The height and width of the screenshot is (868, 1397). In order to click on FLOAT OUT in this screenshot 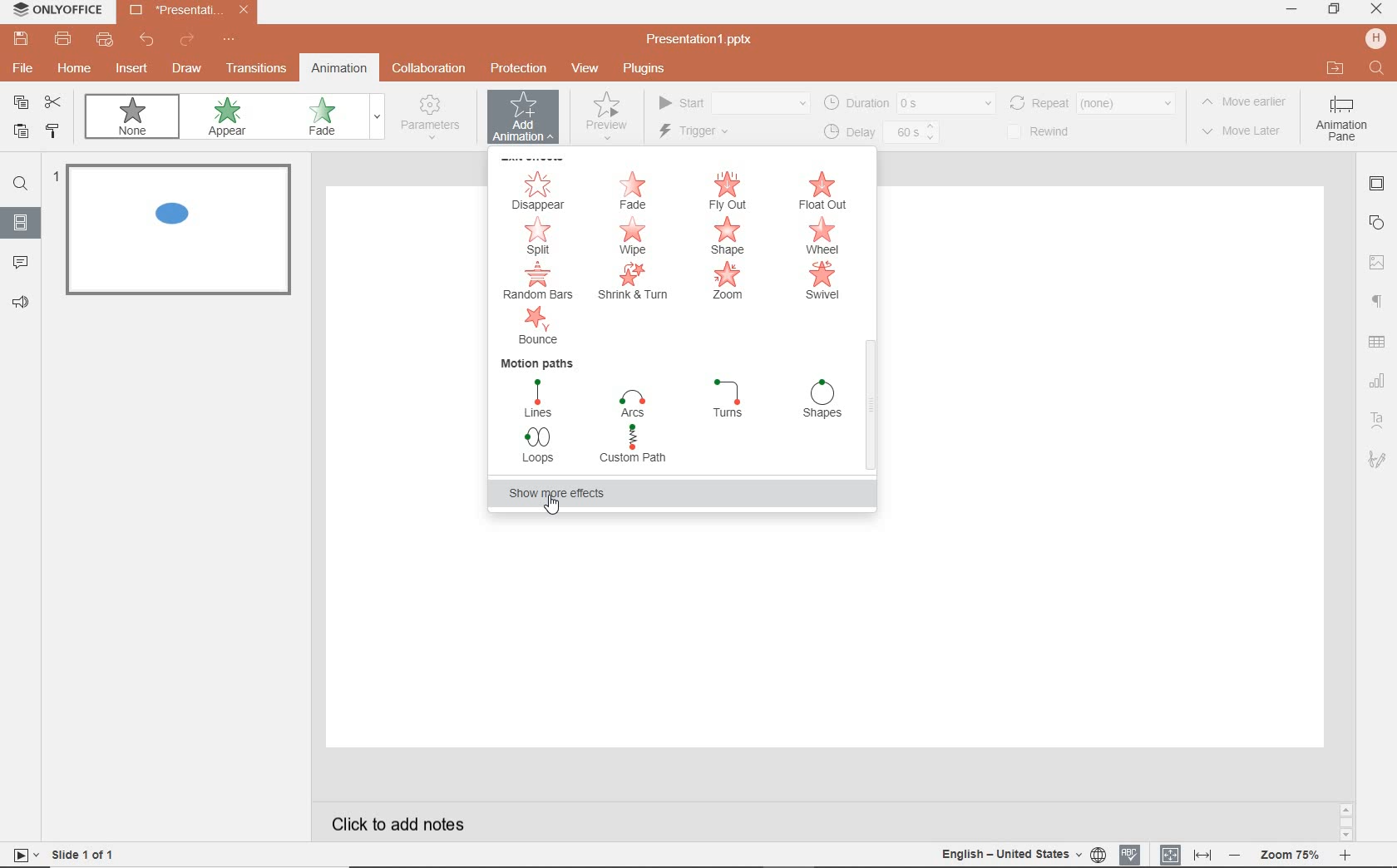, I will do `click(827, 191)`.